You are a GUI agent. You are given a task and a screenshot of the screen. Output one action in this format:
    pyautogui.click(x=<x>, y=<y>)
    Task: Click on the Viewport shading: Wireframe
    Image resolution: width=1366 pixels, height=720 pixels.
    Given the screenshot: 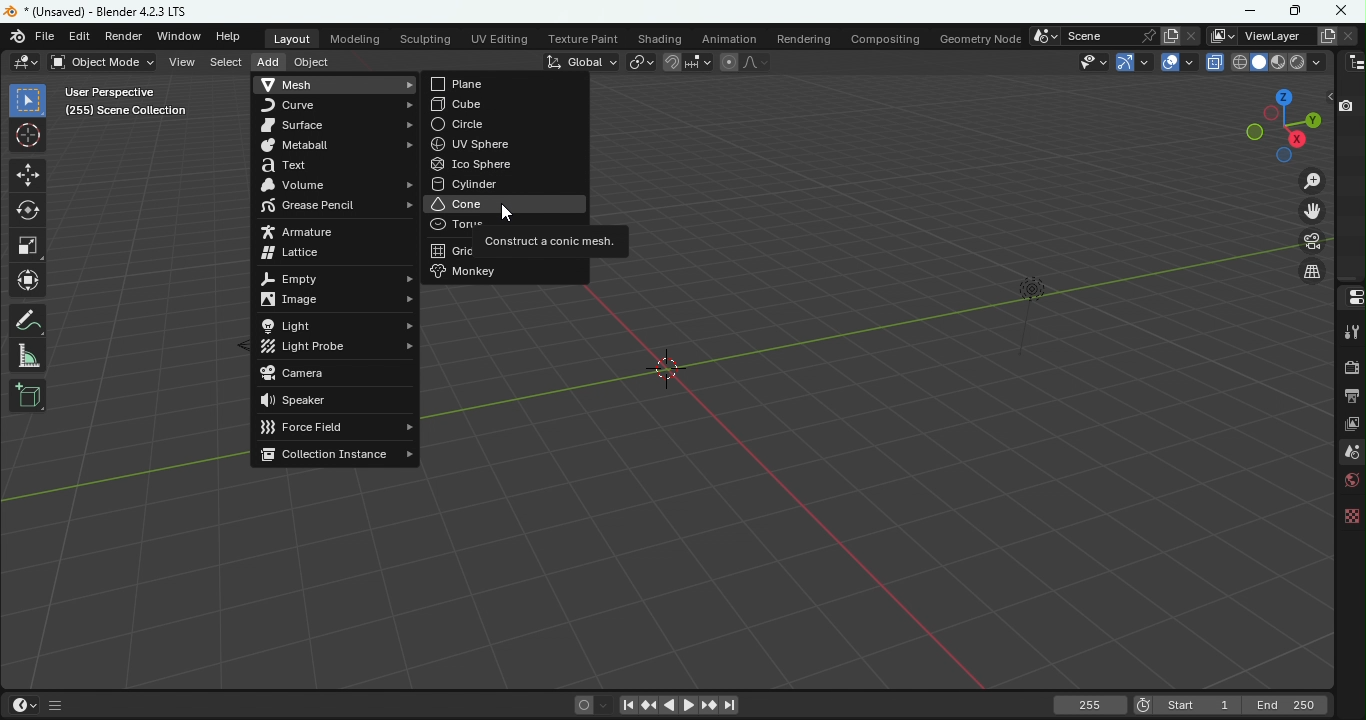 What is the action you would take?
    pyautogui.click(x=1239, y=61)
    